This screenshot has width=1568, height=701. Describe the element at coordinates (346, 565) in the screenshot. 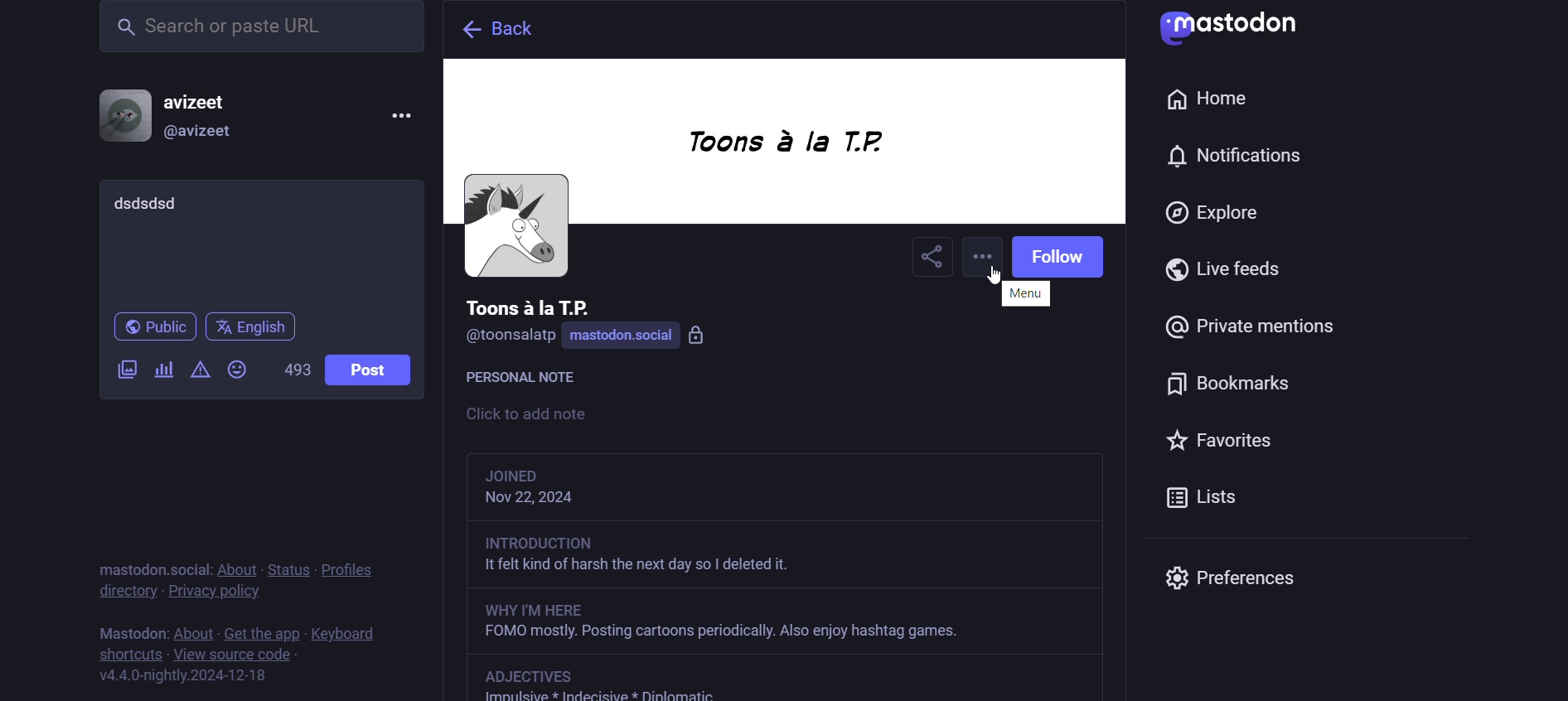

I see `profiles` at that location.